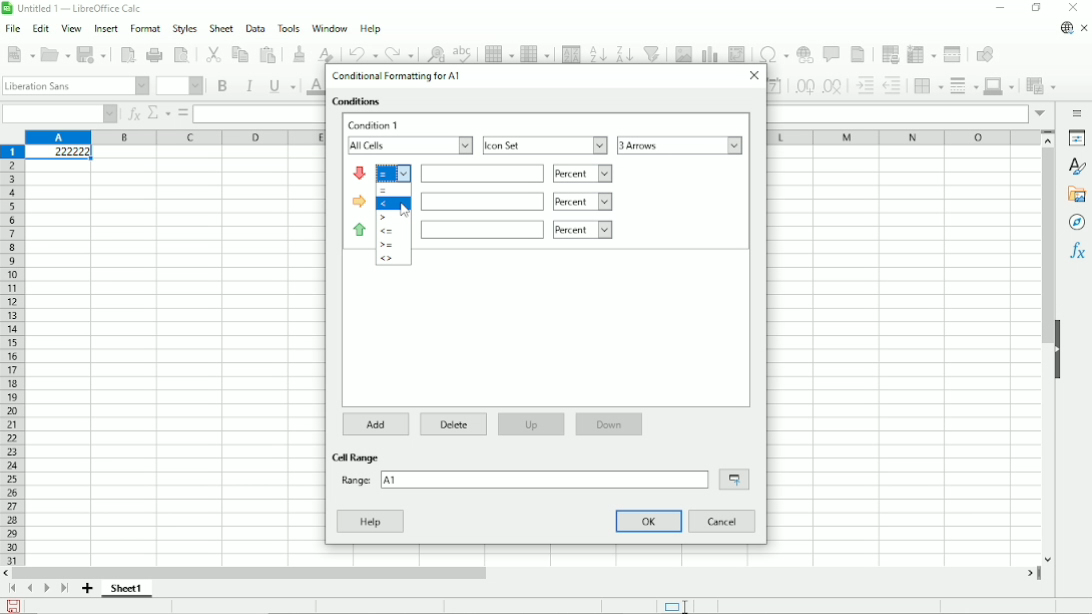  Describe the element at coordinates (535, 51) in the screenshot. I see `Column` at that location.